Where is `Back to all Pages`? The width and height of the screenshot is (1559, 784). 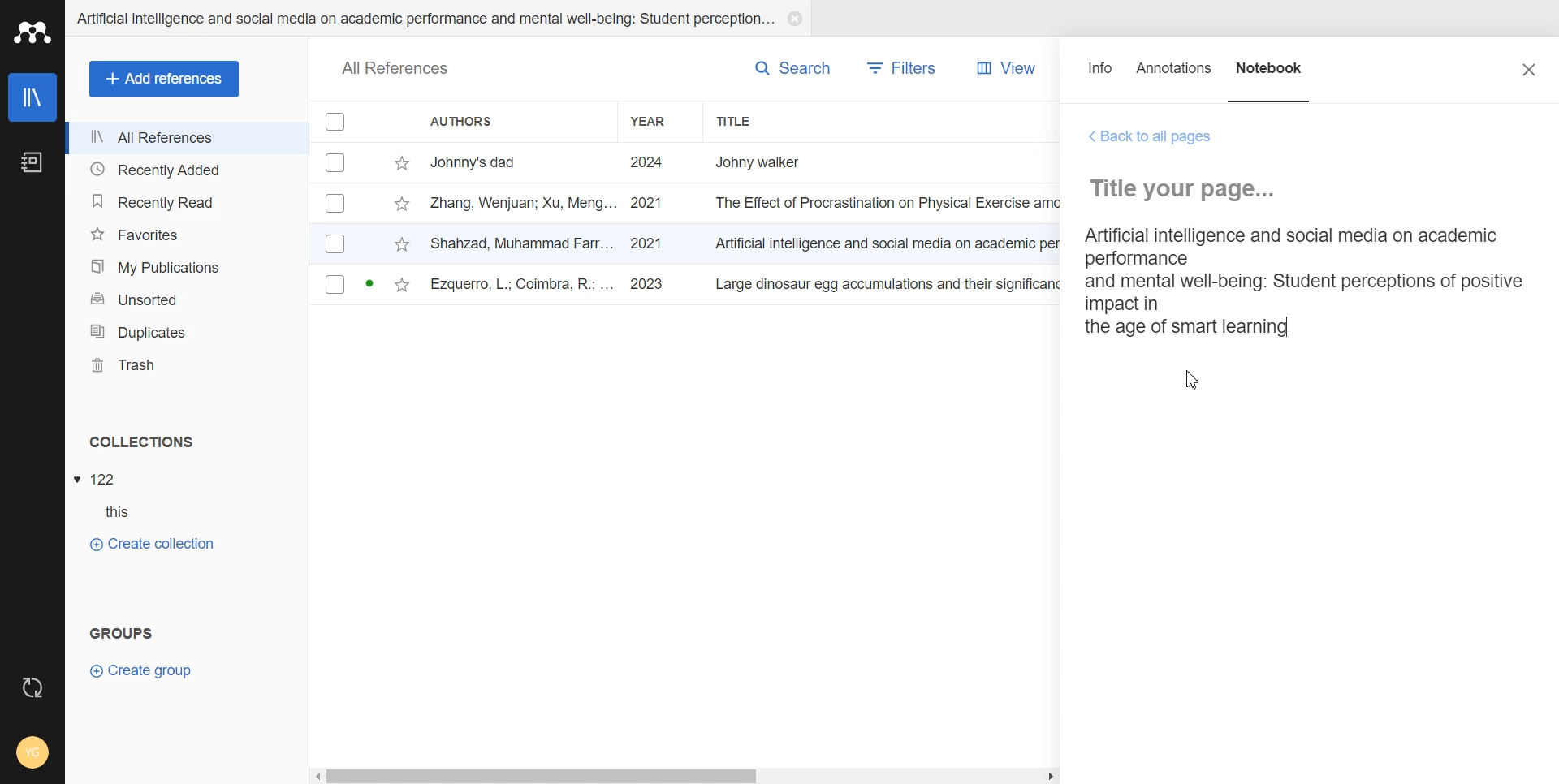 Back to all Pages is located at coordinates (1151, 137).